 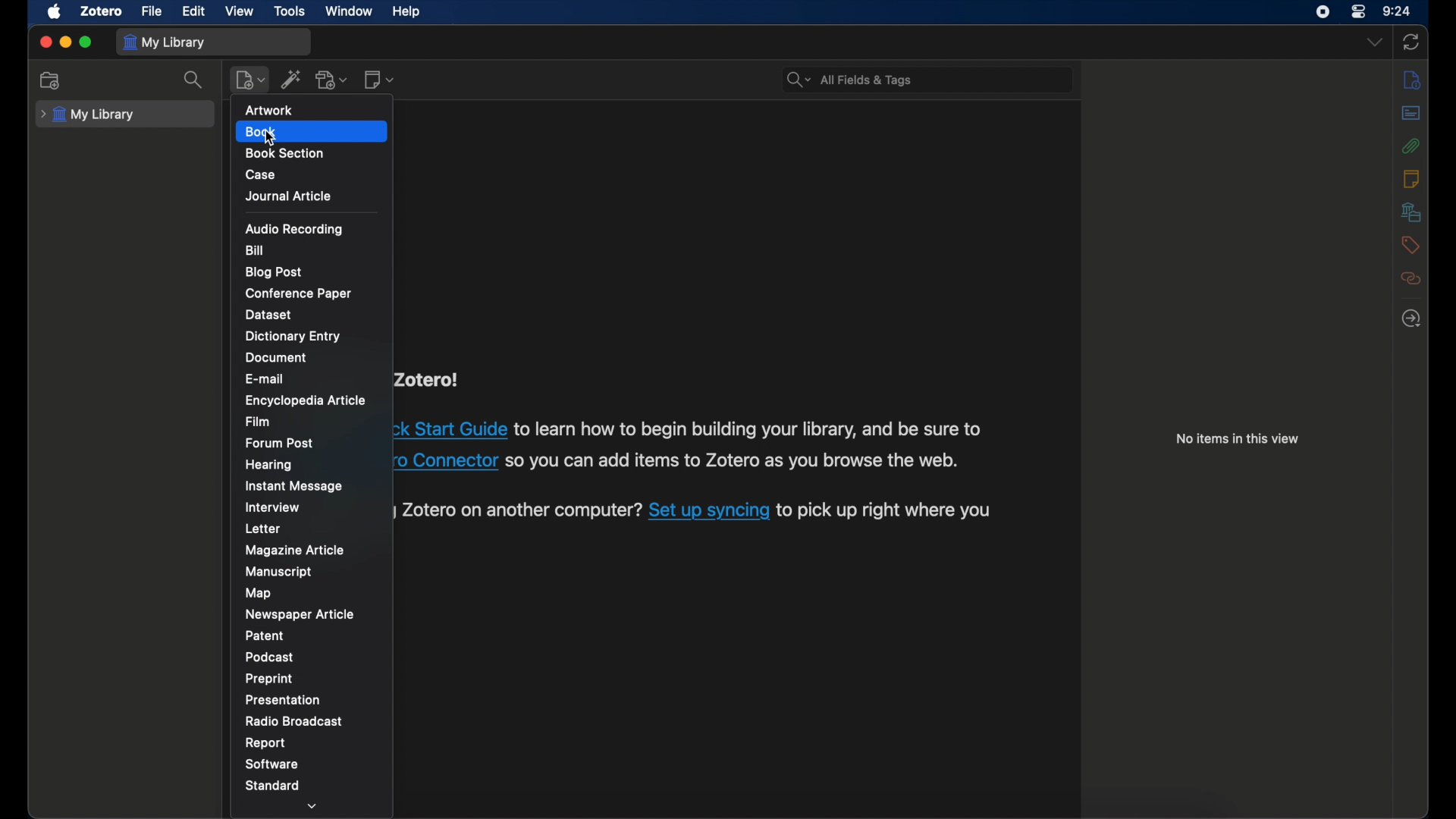 I want to click on search, so click(x=195, y=80).